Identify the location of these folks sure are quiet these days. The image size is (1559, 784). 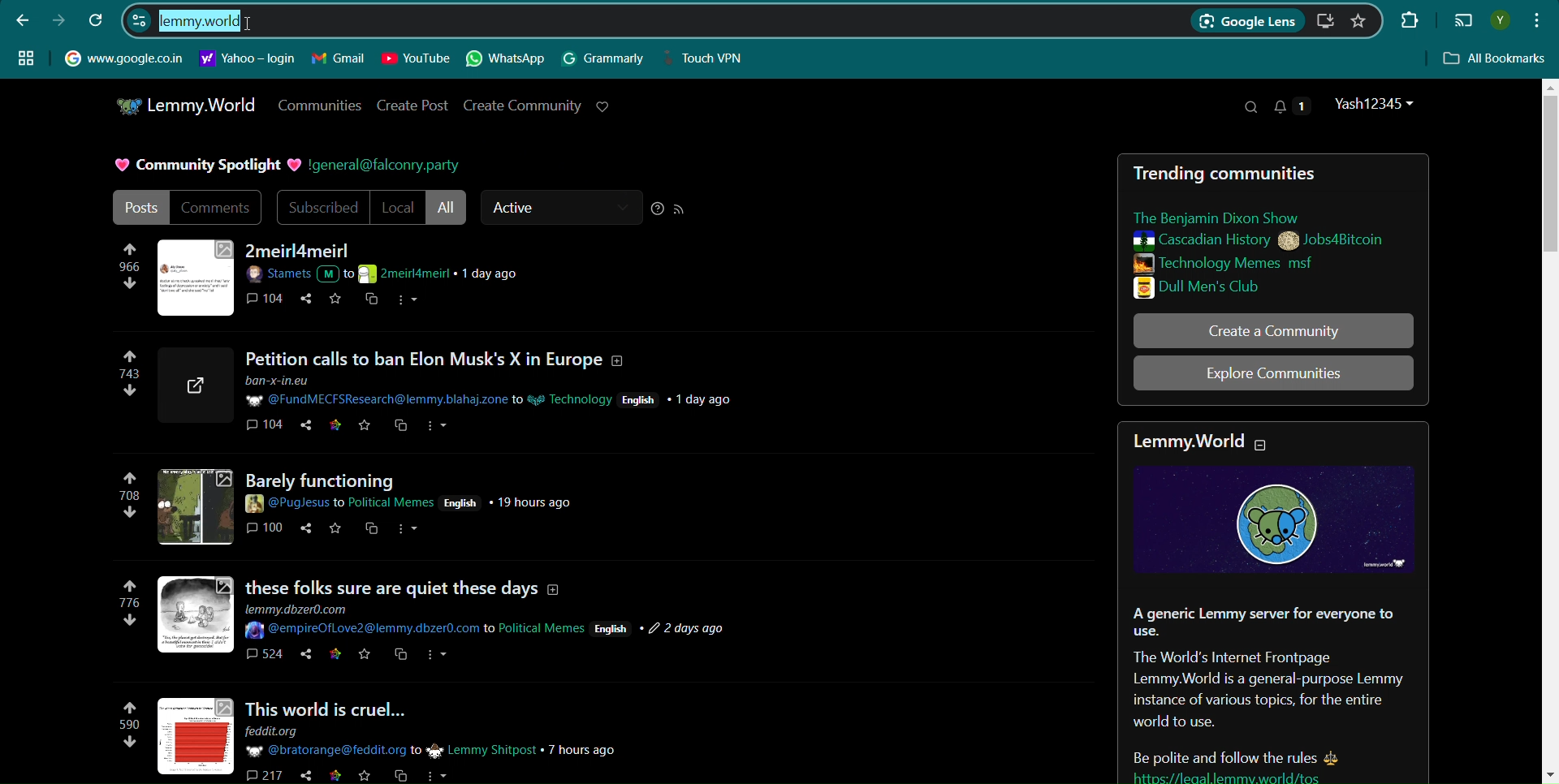
(409, 580).